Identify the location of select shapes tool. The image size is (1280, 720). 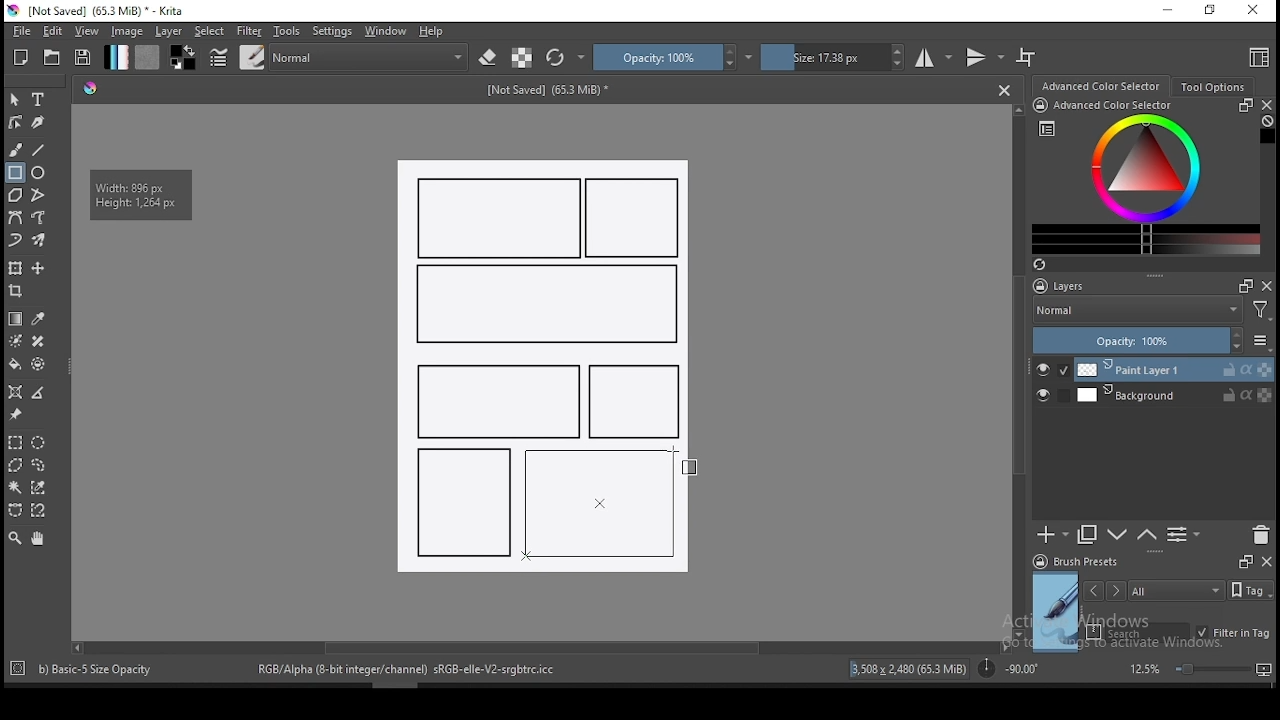
(15, 99).